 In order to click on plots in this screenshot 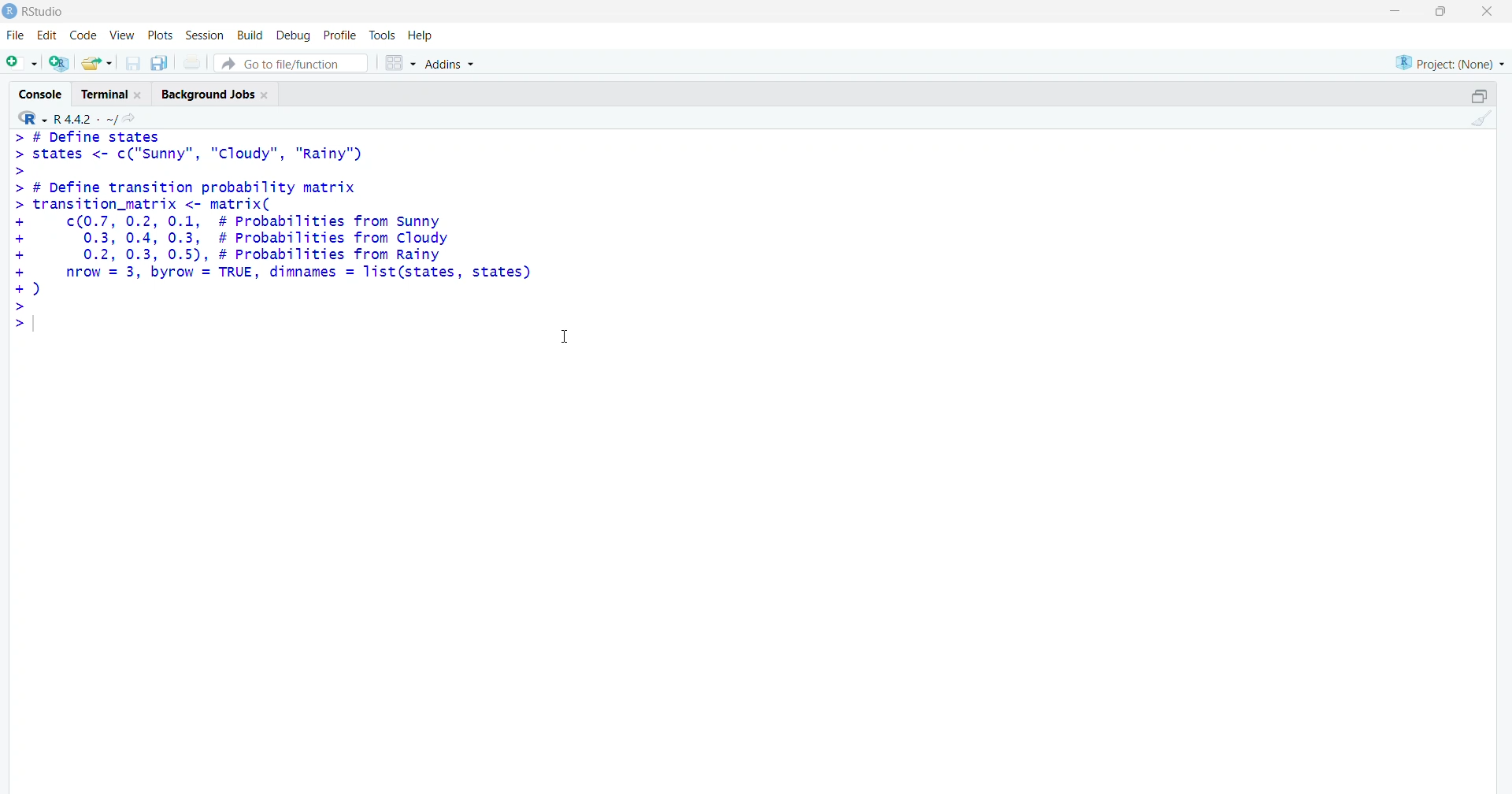, I will do `click(162, 34)`.